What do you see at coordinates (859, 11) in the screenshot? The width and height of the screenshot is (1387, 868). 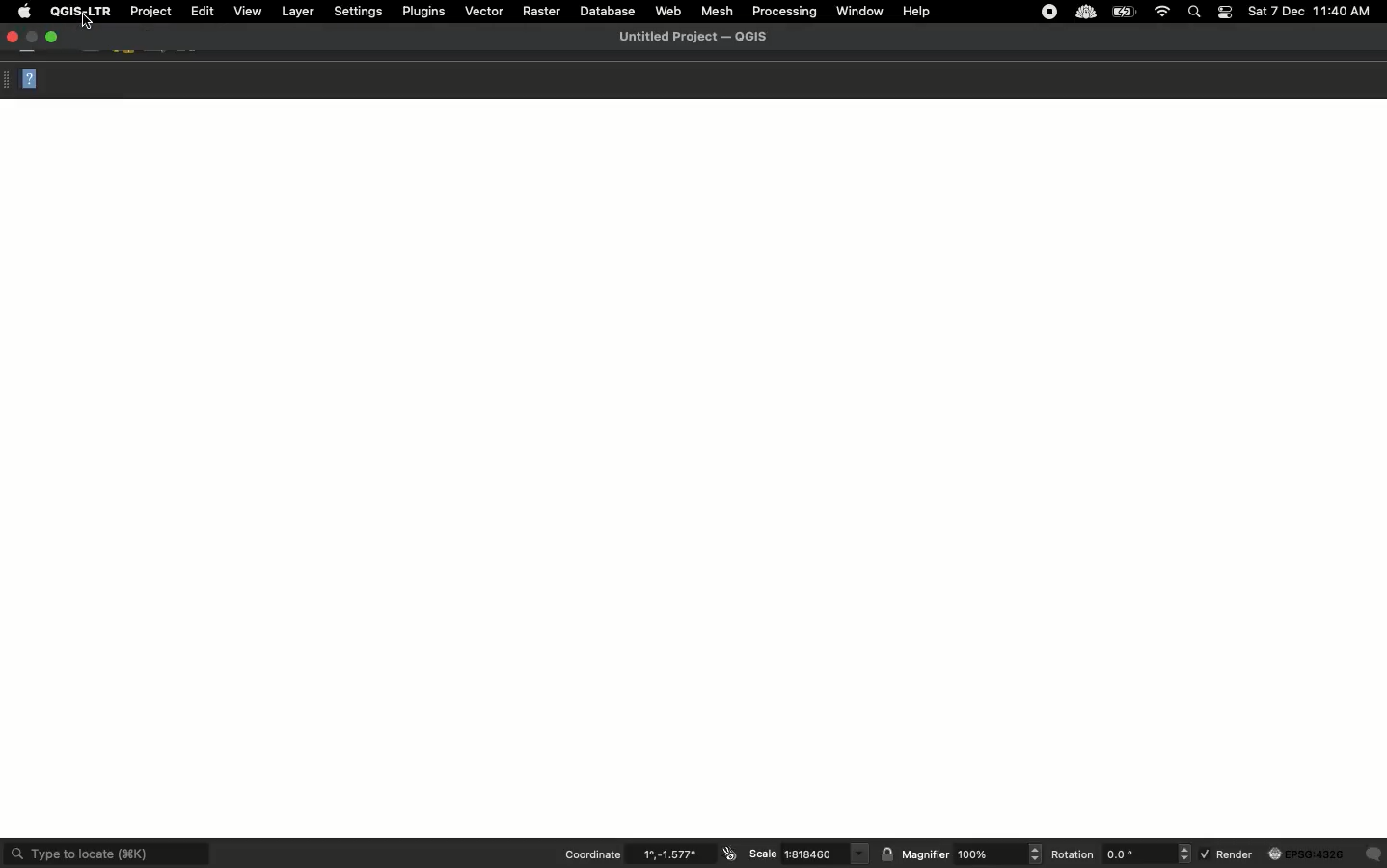 I see `Window` at bounding box center [859, 11].